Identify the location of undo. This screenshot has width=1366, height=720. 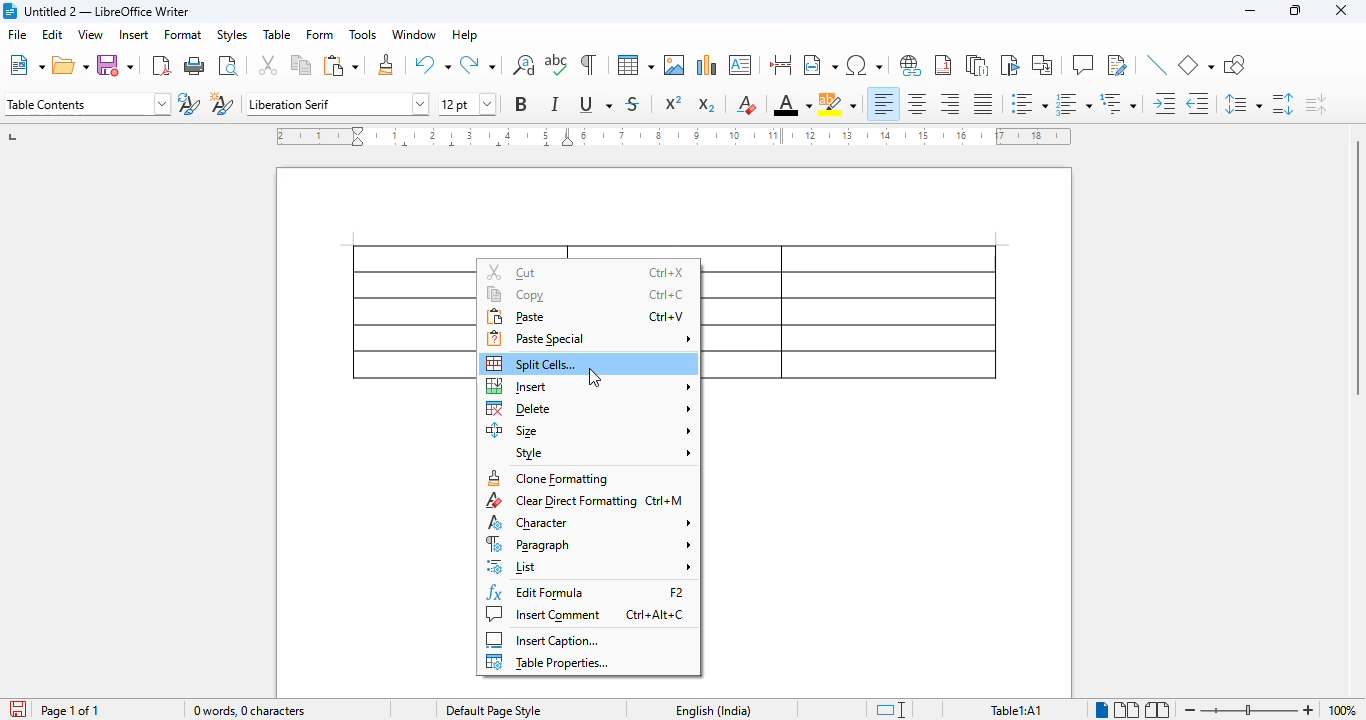
(433, 64).